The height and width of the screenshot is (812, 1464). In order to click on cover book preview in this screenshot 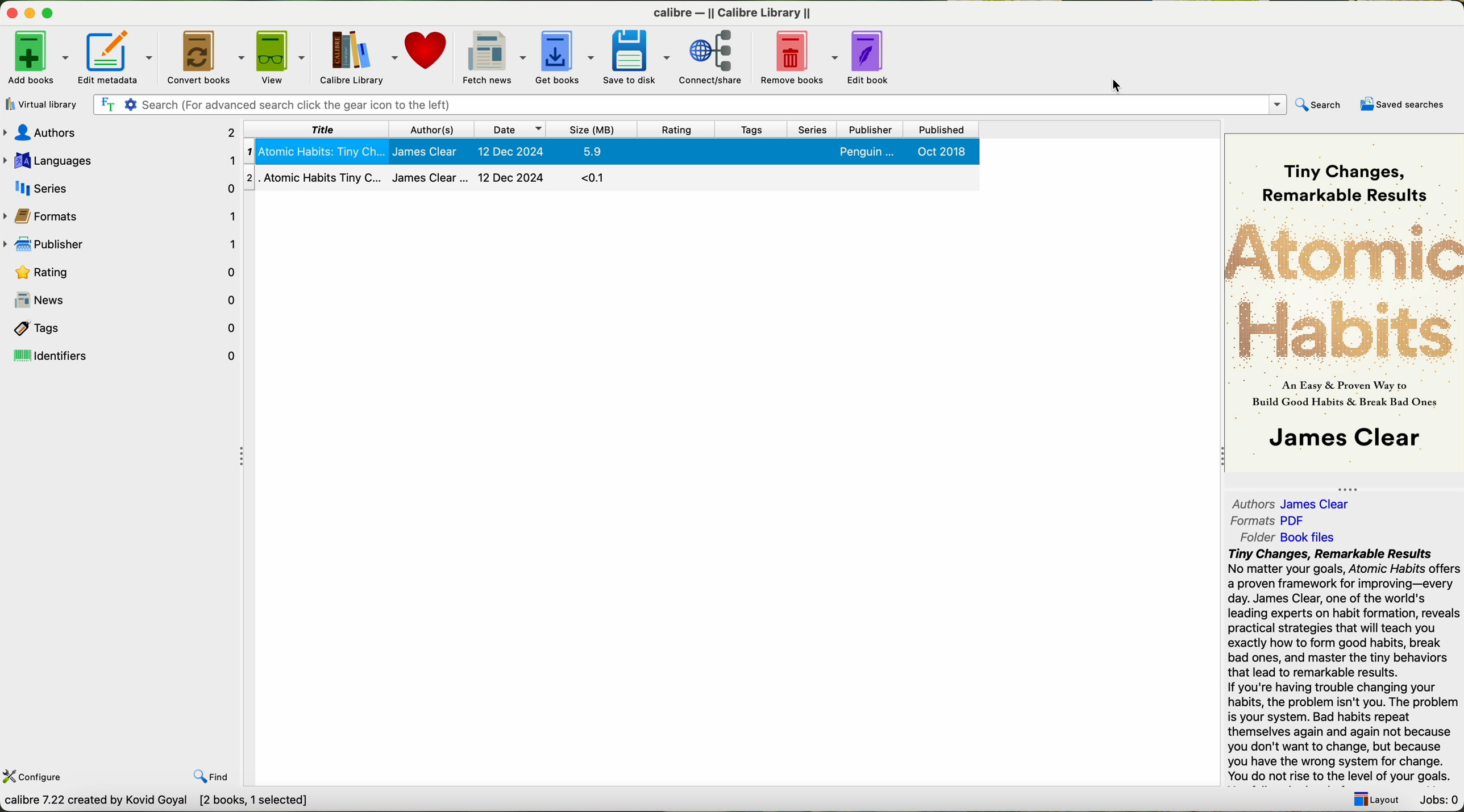, I will do `click(1342, 311)`.